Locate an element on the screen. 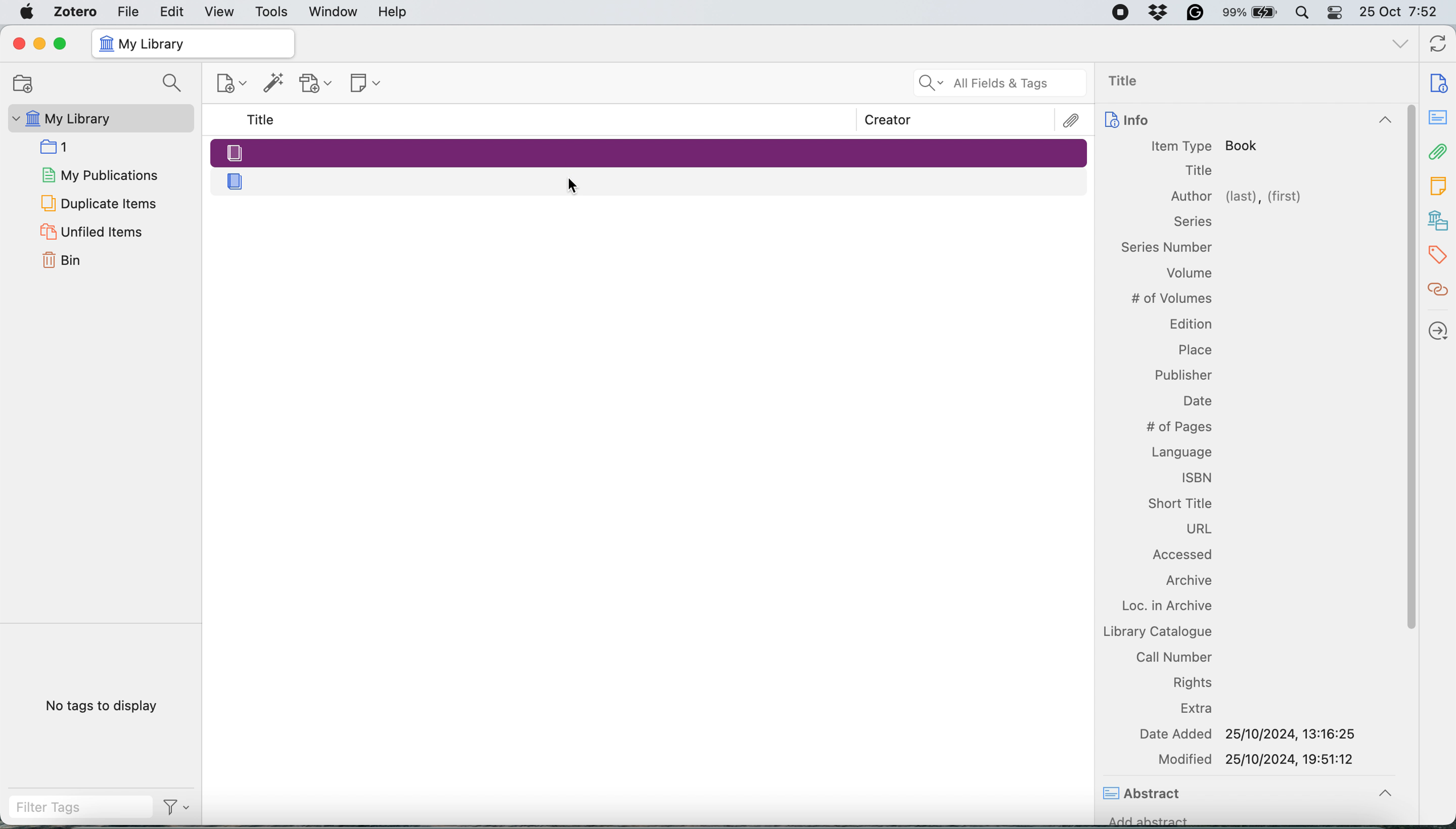 The height and width of the screenshot is (829, 1456). Filter Options is located at coordinates (181, 807).